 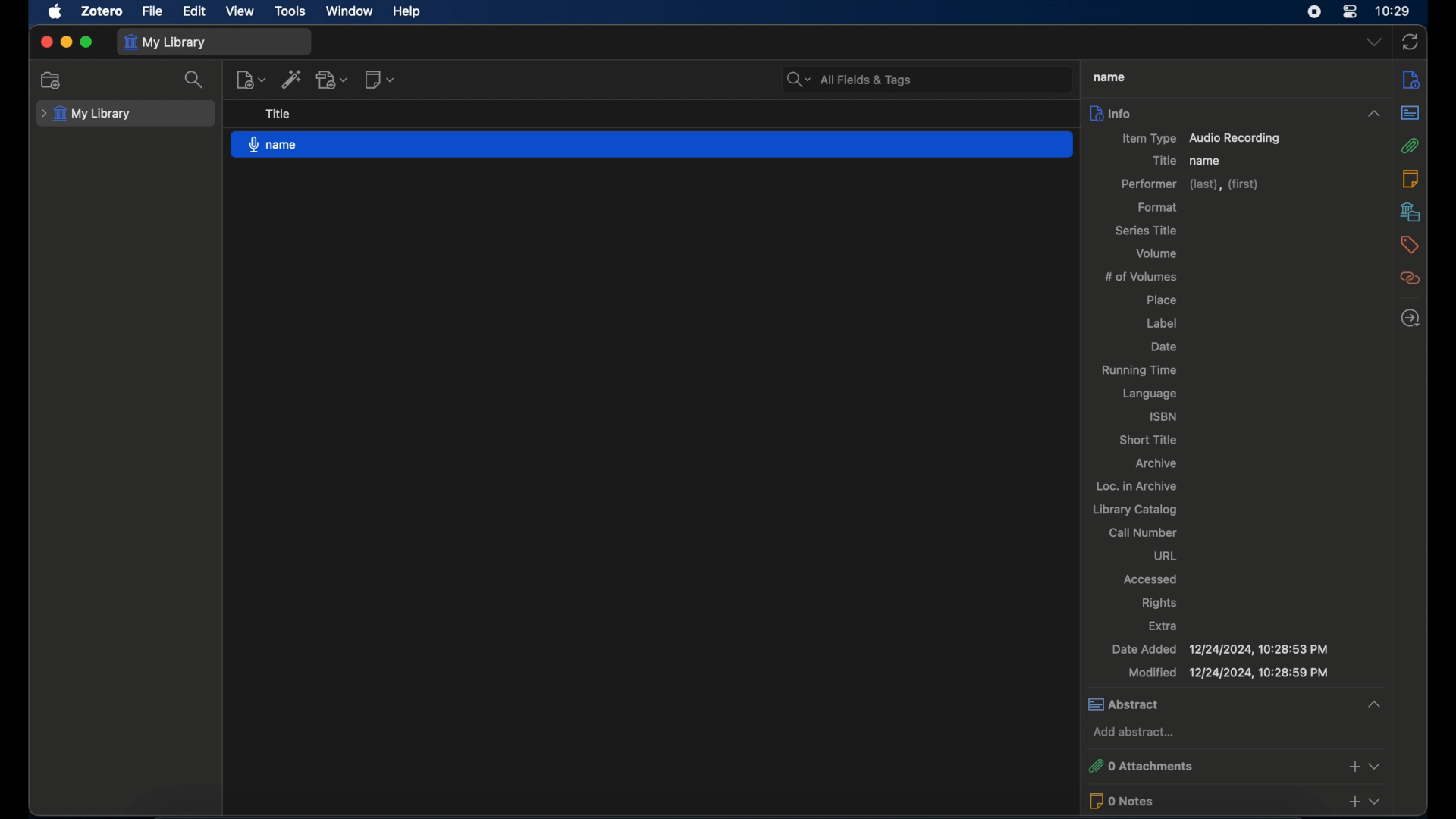 What do you see at coordinates (1144, 277) in the screenshot?
I see `no of volumes` at bounding box center [1144, 277].